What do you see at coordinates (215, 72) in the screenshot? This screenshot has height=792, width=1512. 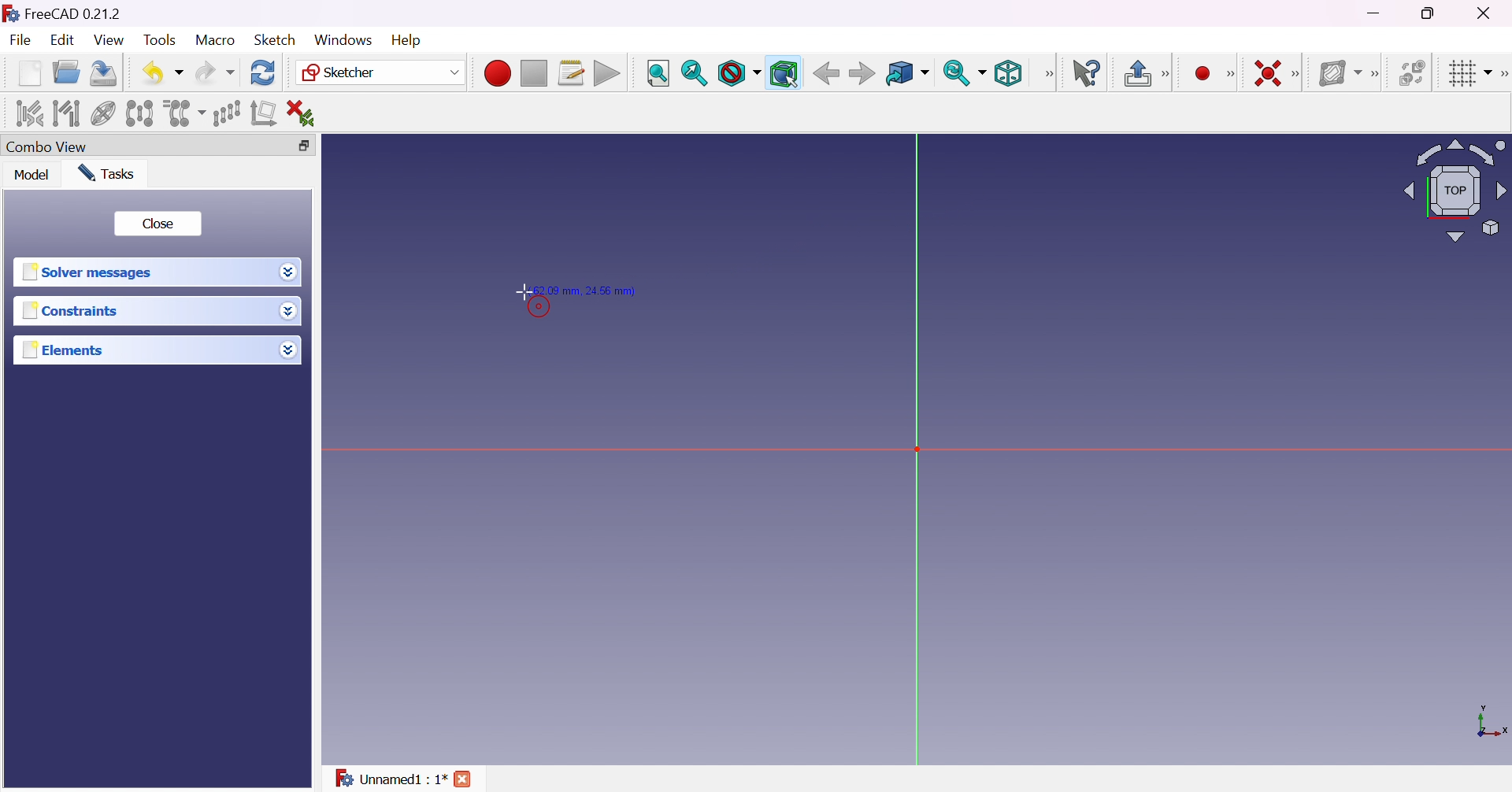 I see `Redo` at bounding box center [215, 72].